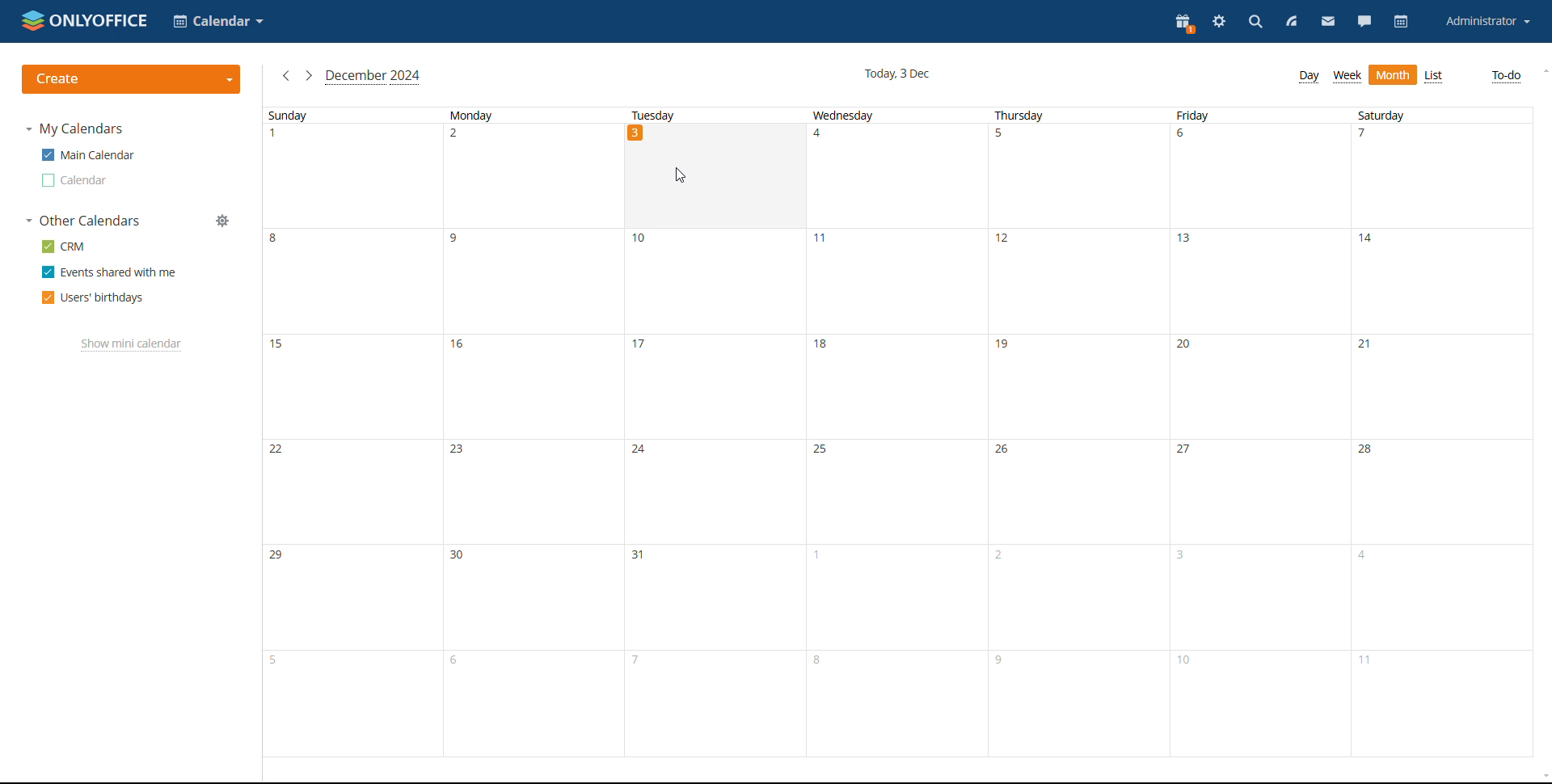 Image resolution: width=1552 pixels, height=784 pixels. I want to click on wednesday, so click(894, 432).